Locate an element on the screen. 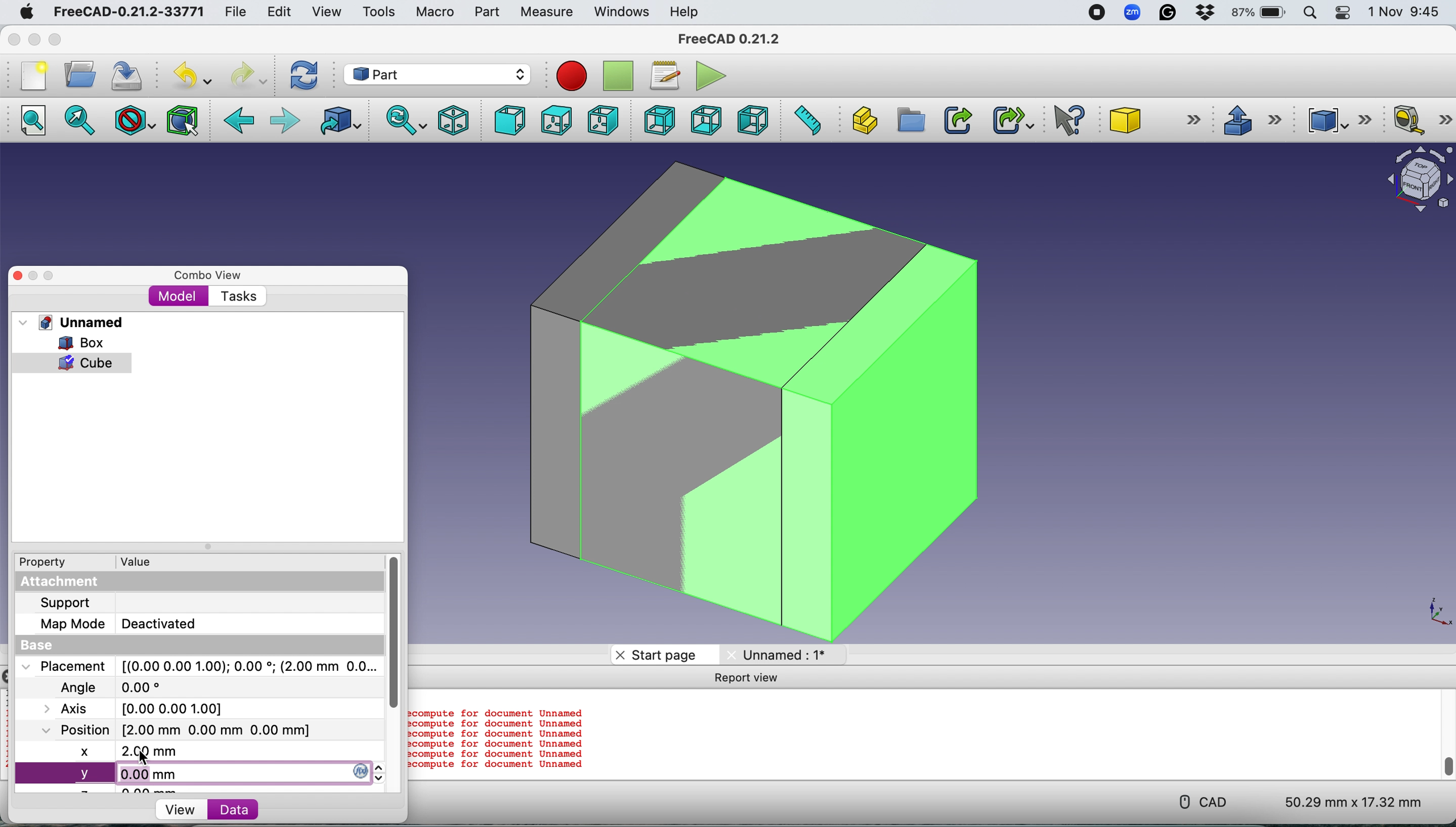 The height and width of the screenshot is (827, 1456). Unnamed is located at coordinates (84, 322).